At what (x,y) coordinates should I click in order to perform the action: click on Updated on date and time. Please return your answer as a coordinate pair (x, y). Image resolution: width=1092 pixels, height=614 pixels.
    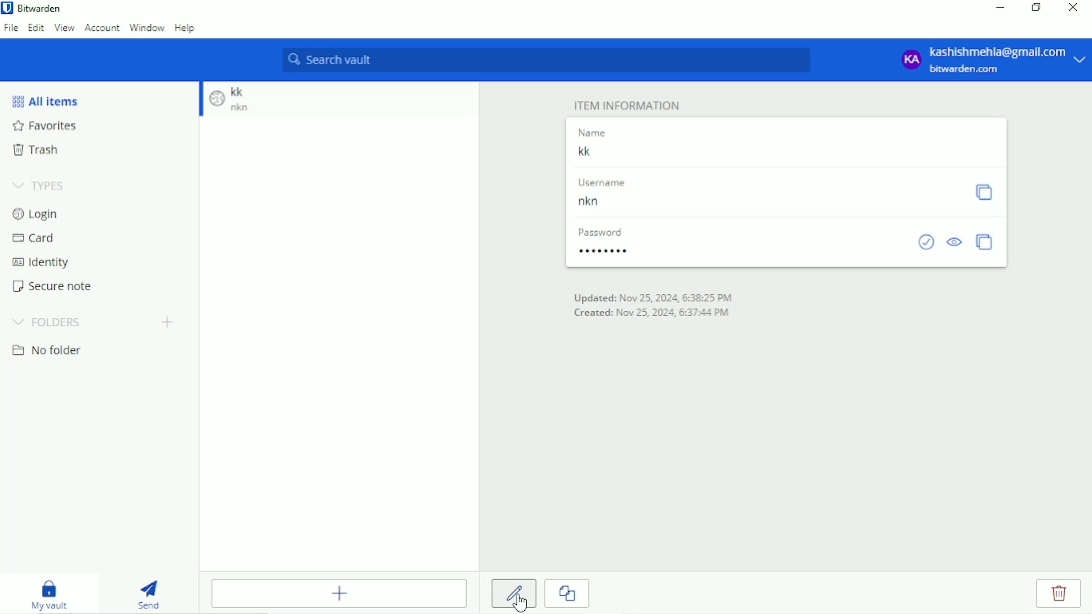
    Looking at the image, I should click on (652, 296).